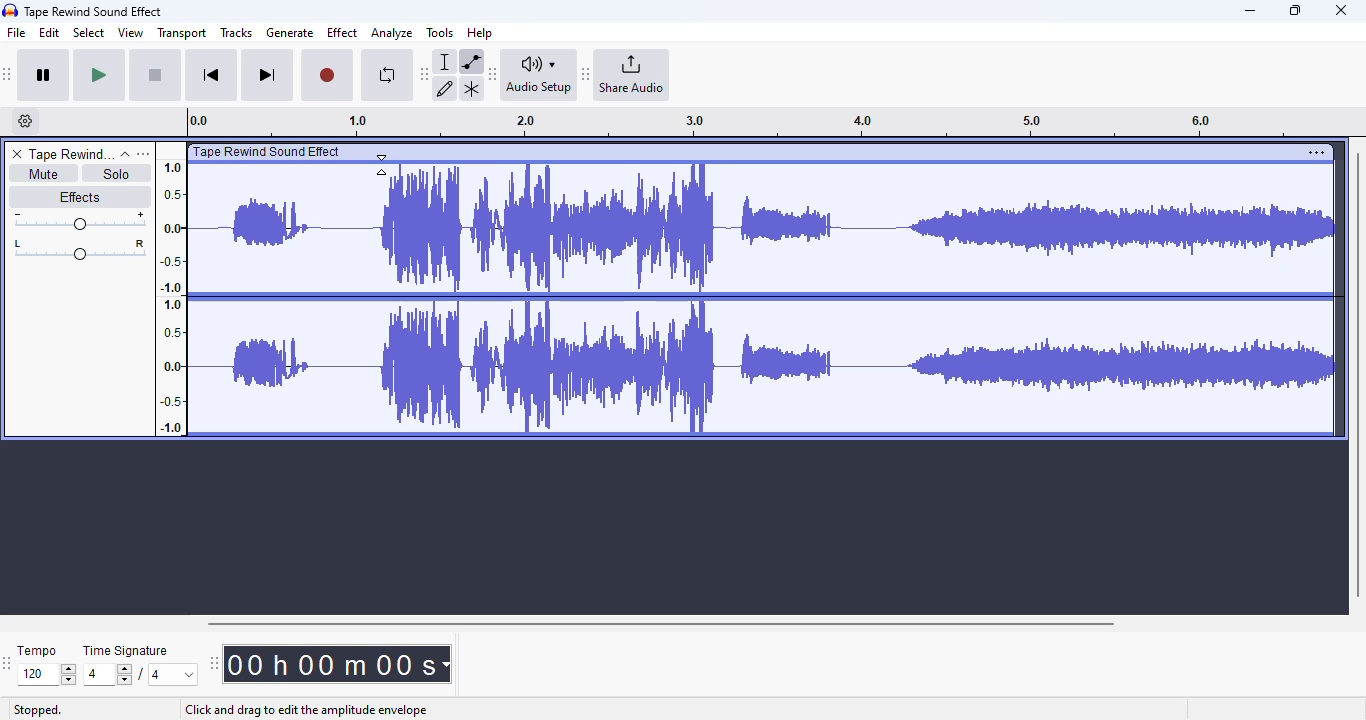 This screenshot has width=1366, height=720. What do you see at coordinates (290, 33) in the screenshot?
I see `generate` at bounding box center [290, 33].